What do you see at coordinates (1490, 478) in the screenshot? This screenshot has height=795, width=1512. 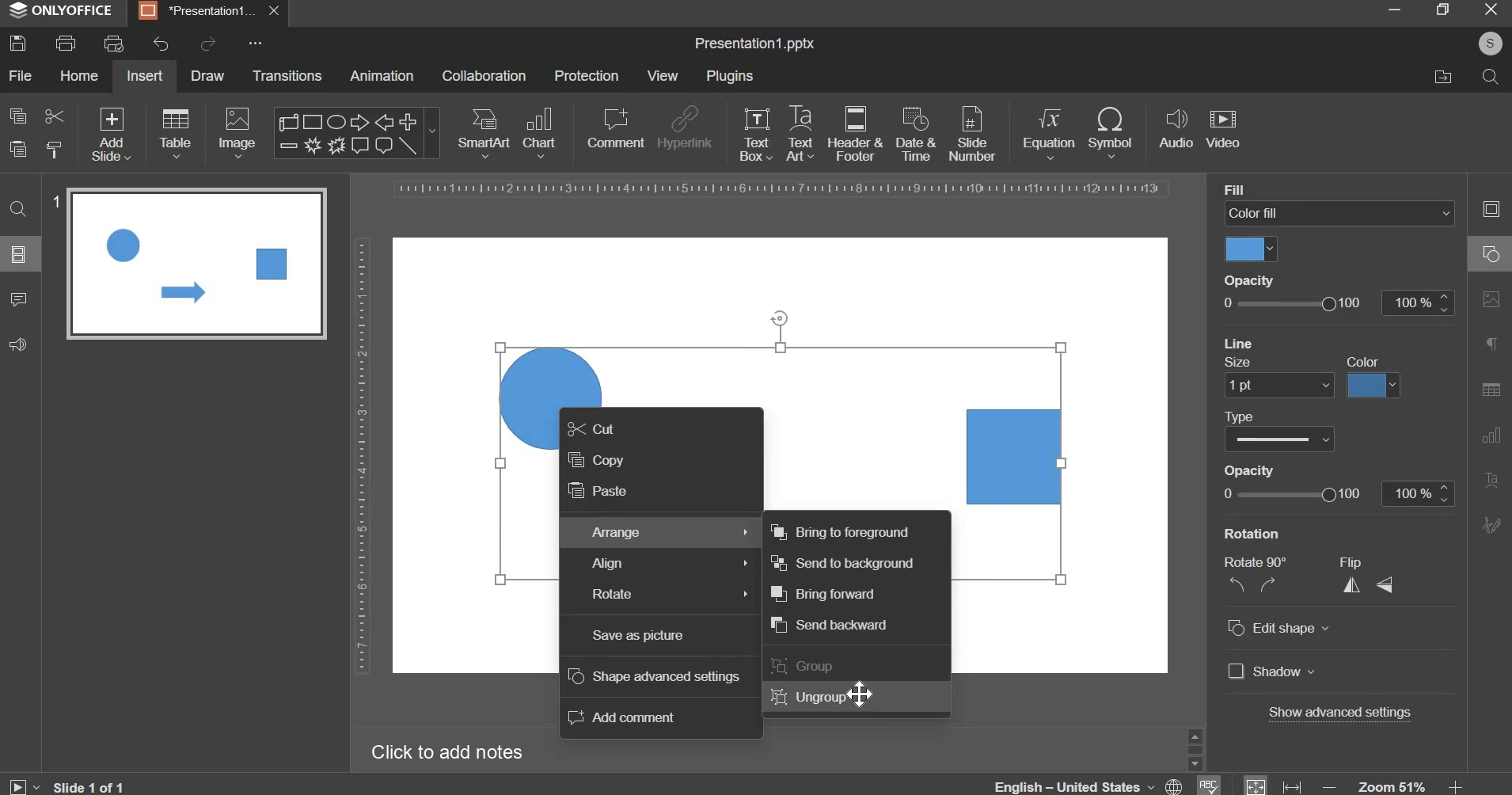 I see `text art setting` at bounding box center [1490, 478].